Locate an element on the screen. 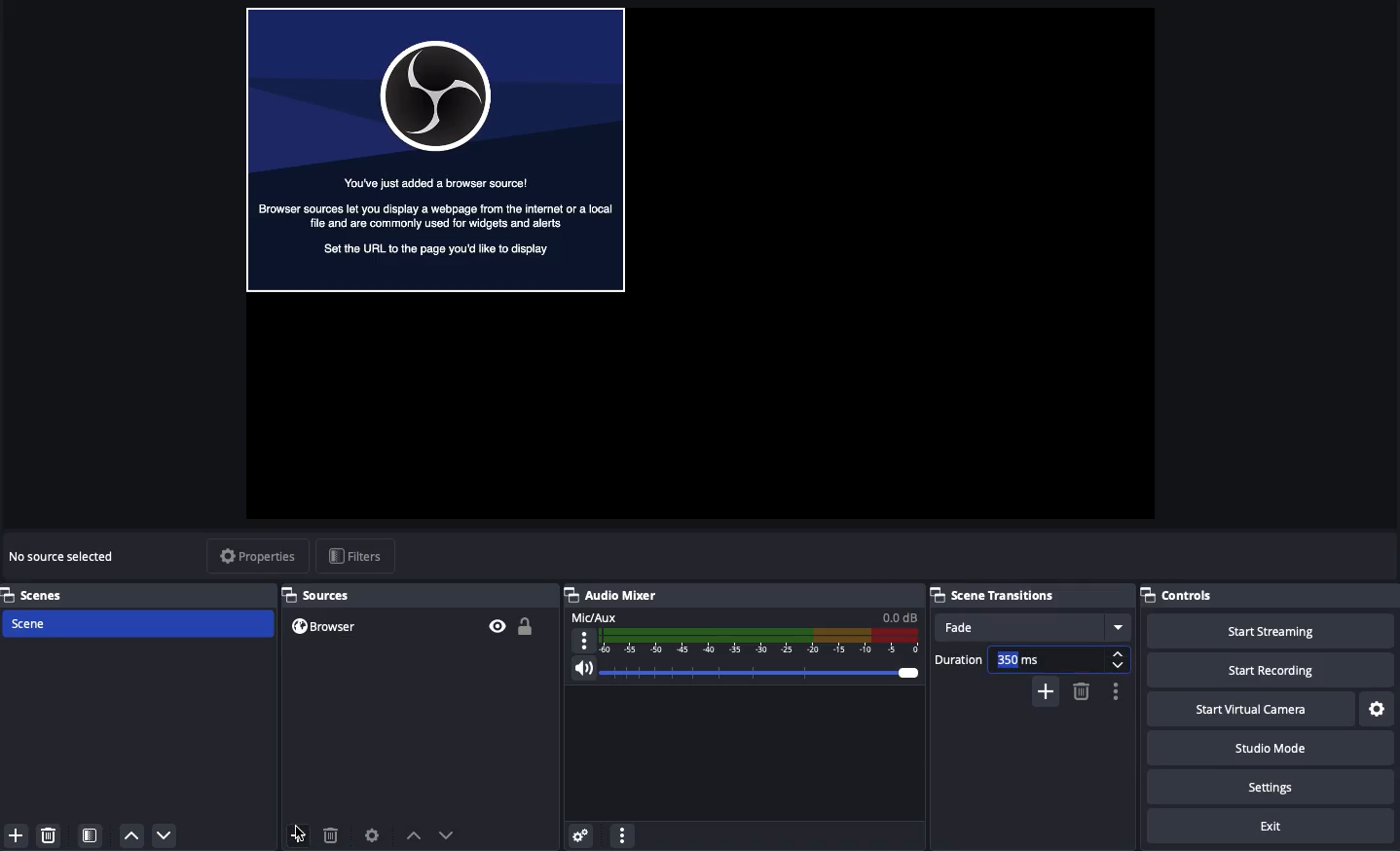 This screenshot has height=851, width=1400. Studio mode is located at coordinates (1271, 751).